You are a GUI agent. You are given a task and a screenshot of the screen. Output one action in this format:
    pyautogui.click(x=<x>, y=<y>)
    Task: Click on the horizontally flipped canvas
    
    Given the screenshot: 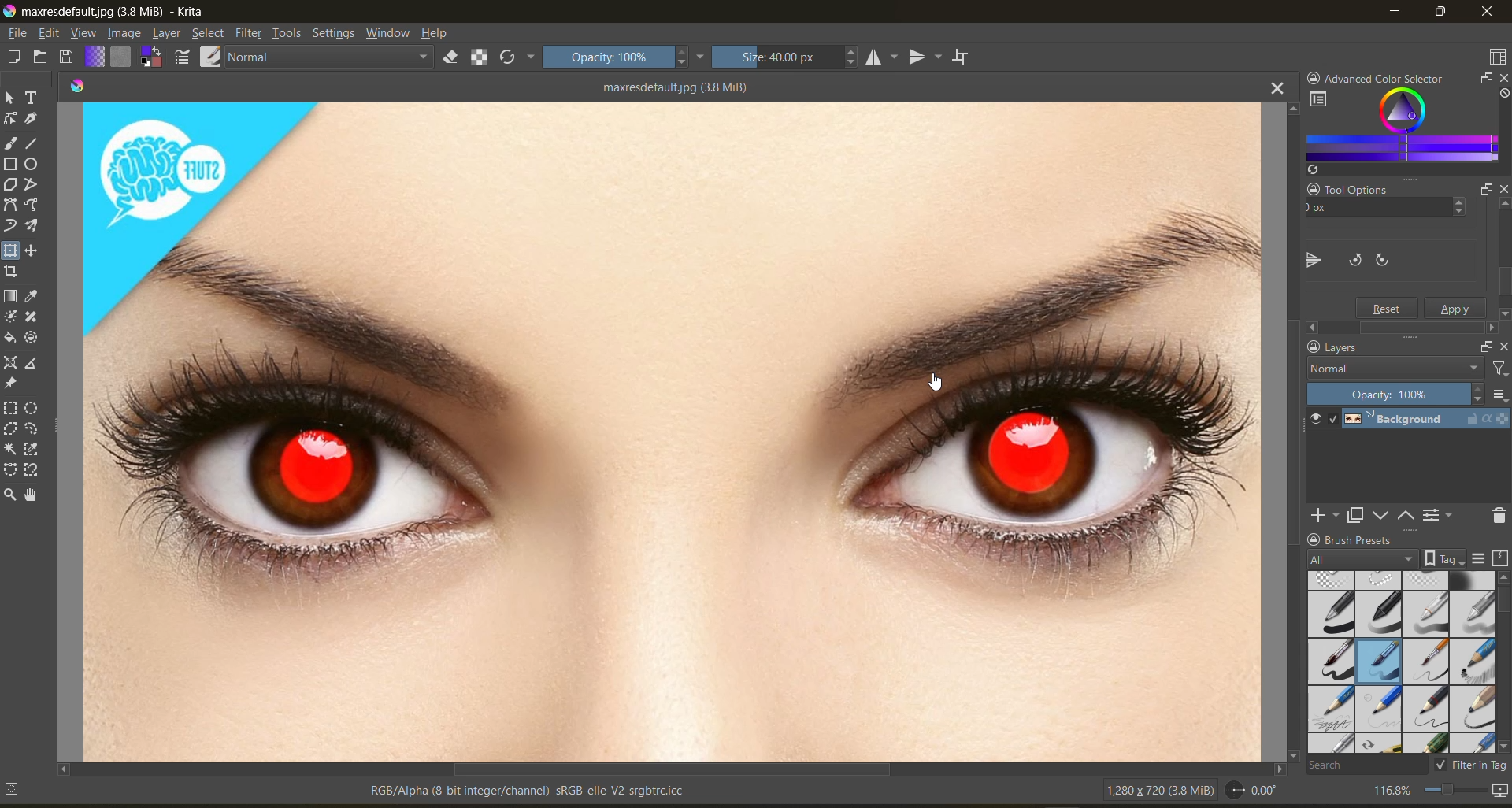 What is the action you would take?
    pyautogui.click(x=672, y=432)
    